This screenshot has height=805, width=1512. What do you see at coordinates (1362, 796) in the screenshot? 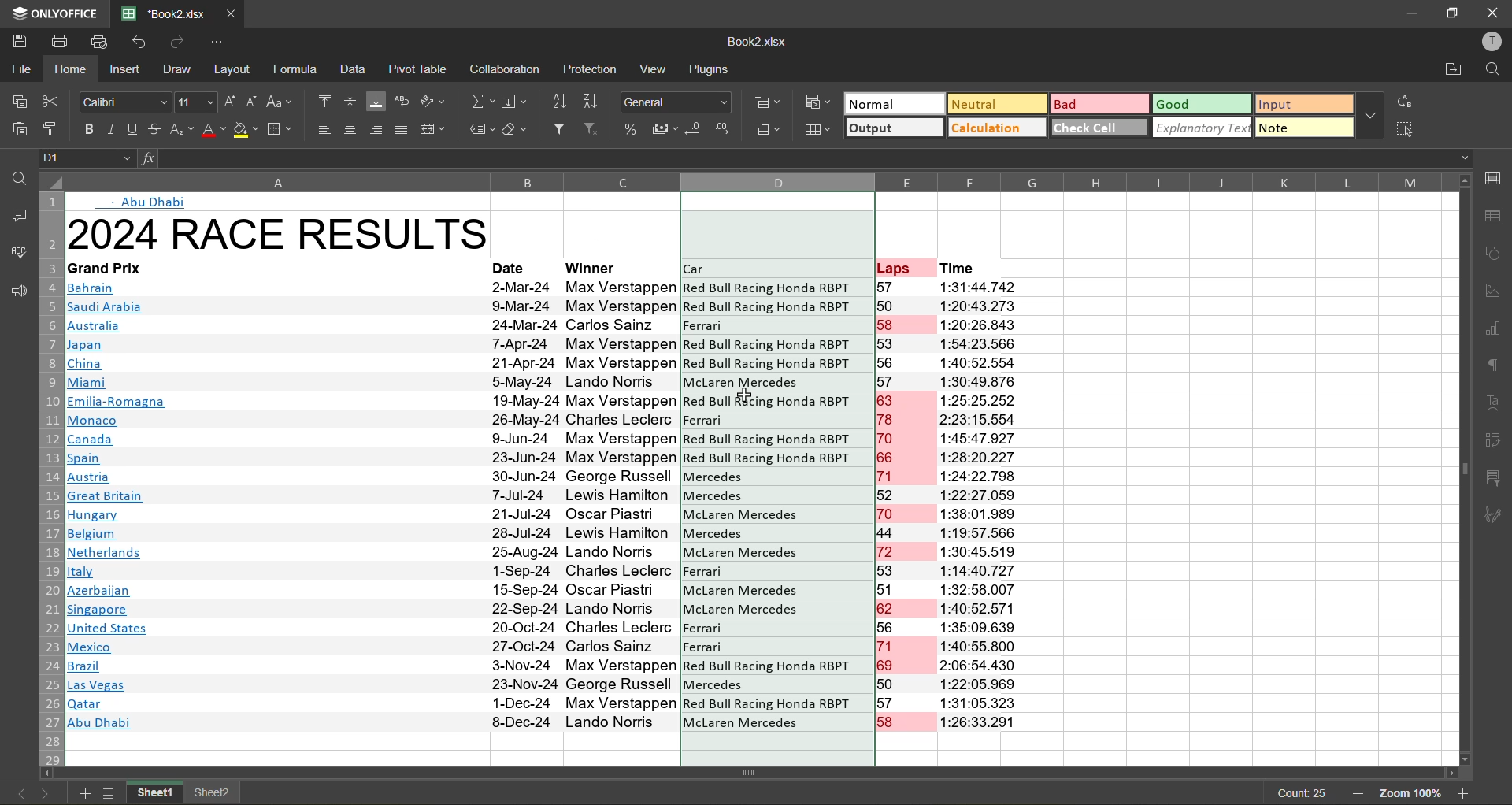
I see `zoom out` at bounding box center [1362, 796].